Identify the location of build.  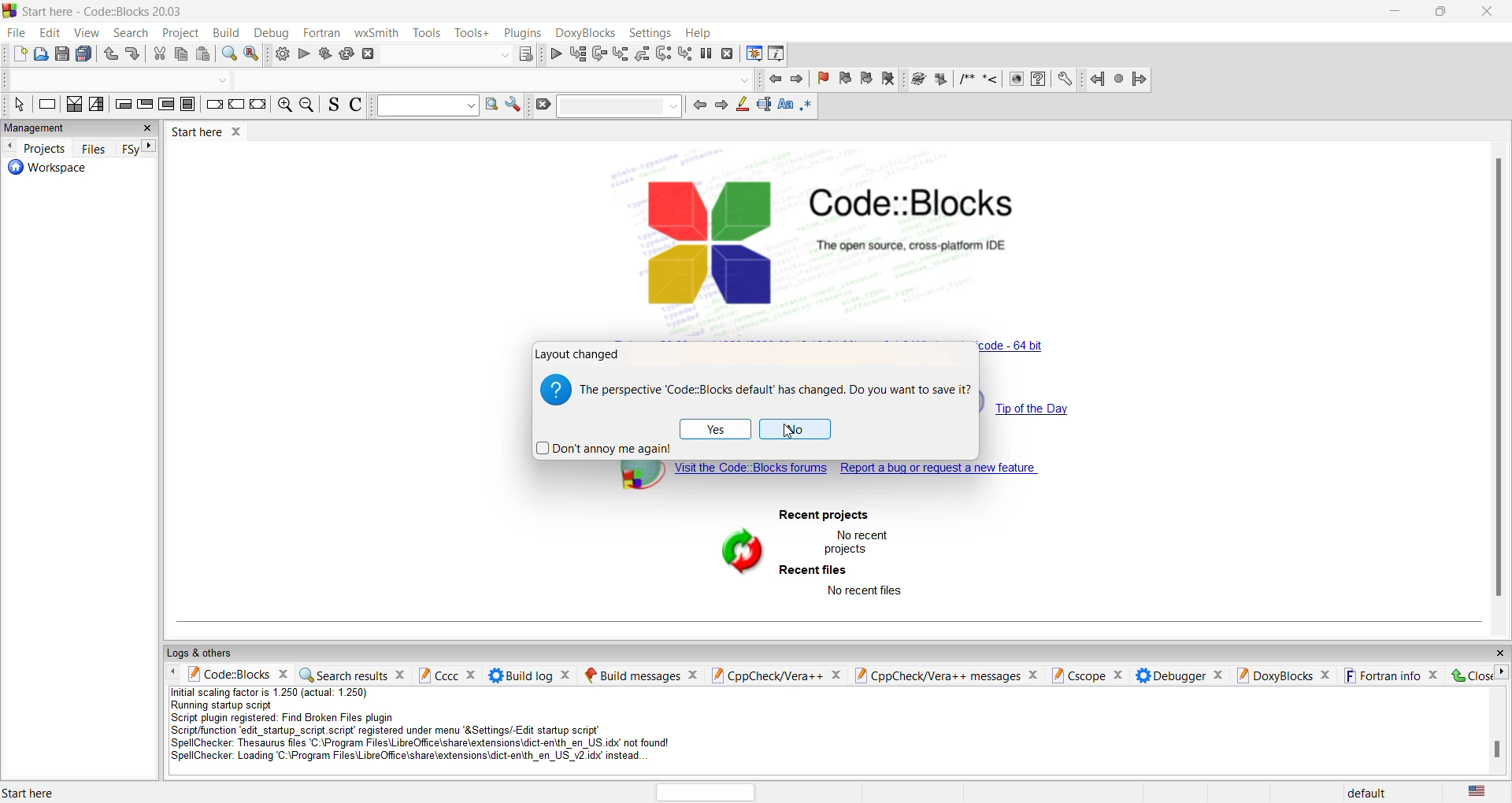
(325, 56).